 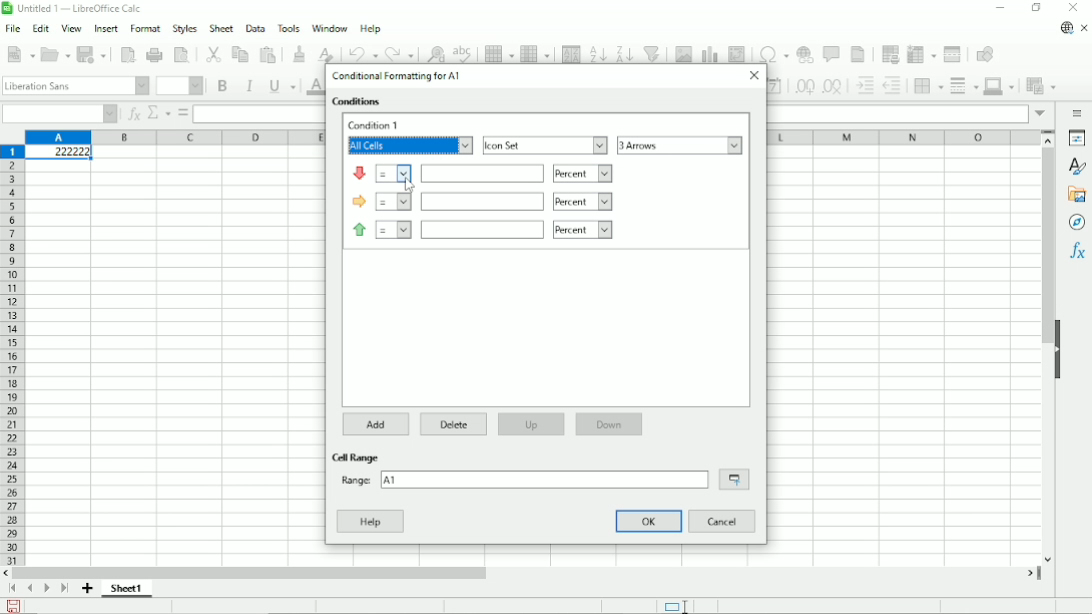 I want to click on Export directly as PDF, so click(x=128, y=55).